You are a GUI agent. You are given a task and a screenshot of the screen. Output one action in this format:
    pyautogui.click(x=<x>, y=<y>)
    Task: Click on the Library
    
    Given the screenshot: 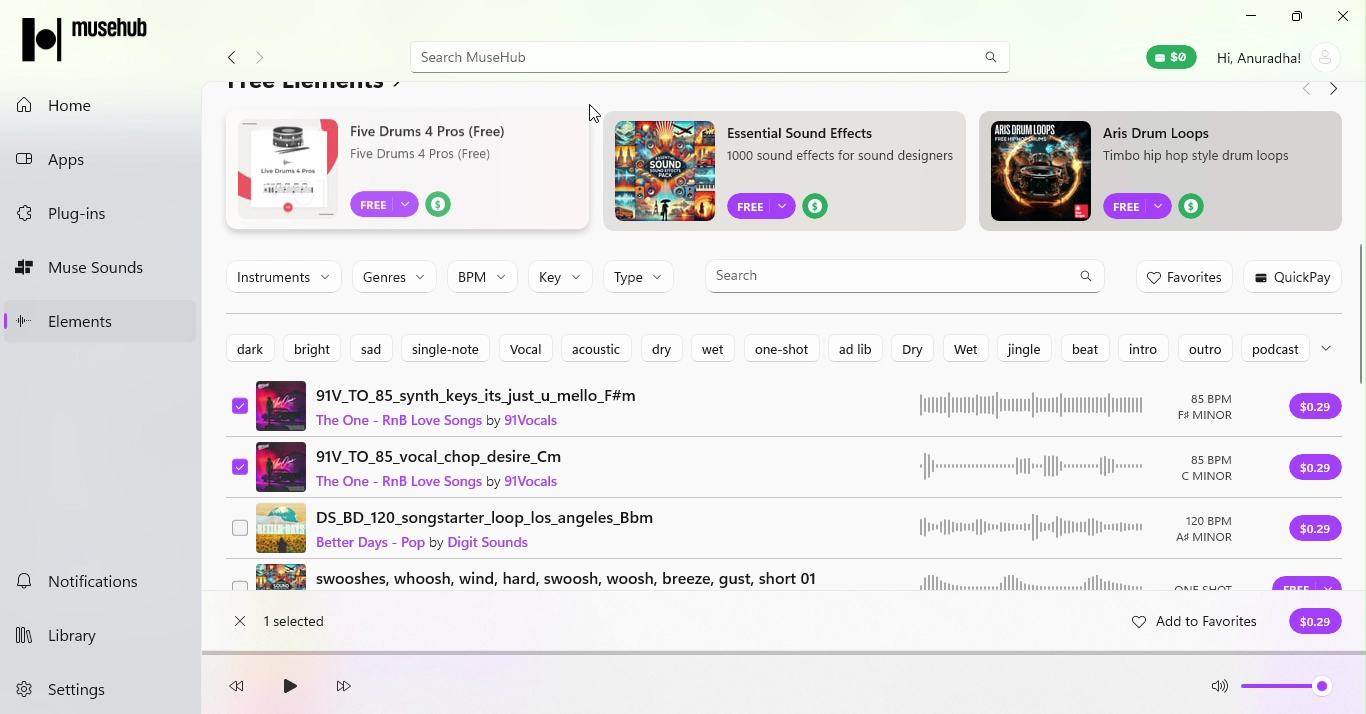 What is the action you would take?
    pyautogui.click(x=84, y=632)
    